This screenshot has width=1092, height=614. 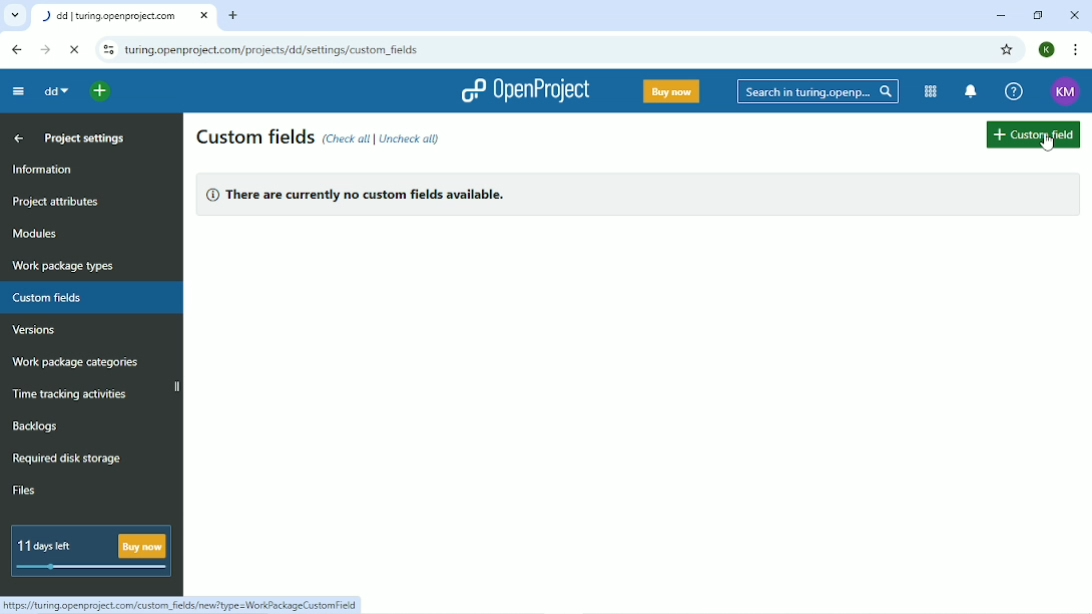 What do you see at coordinates (25, 490) in the screenshot?
I see `Files` at bounding box center [25, 490].